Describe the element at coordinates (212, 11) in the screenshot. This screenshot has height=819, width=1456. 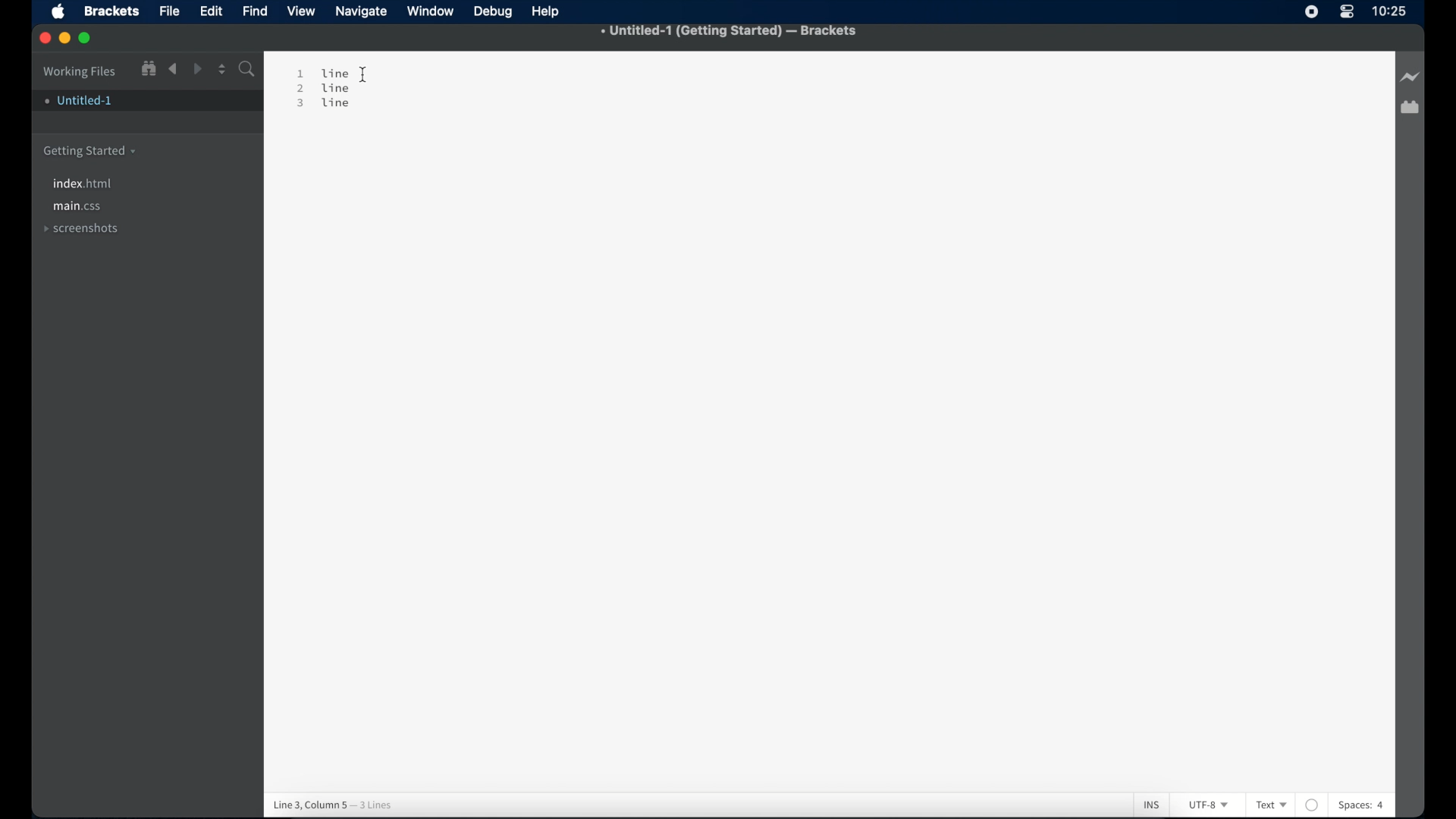
I see `edit` at that location.